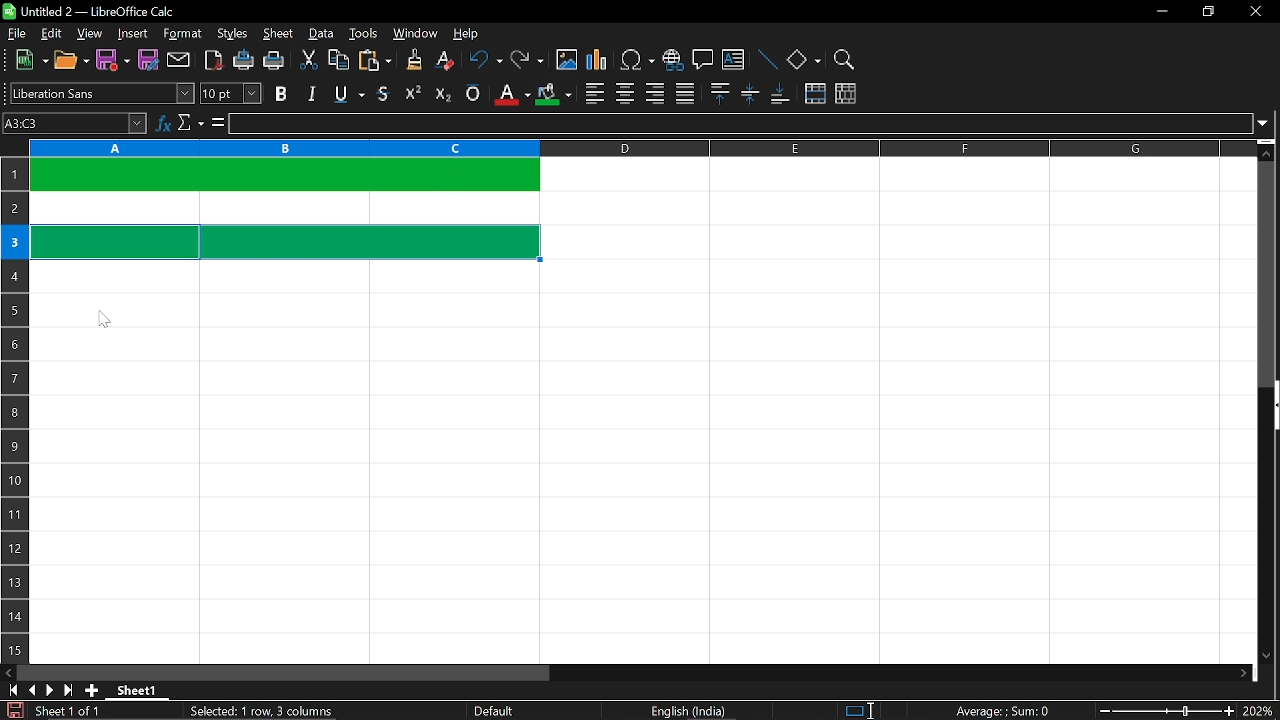 The height and width of the screenshot is (720, 1280). I want to click on save, so click(113, 61).